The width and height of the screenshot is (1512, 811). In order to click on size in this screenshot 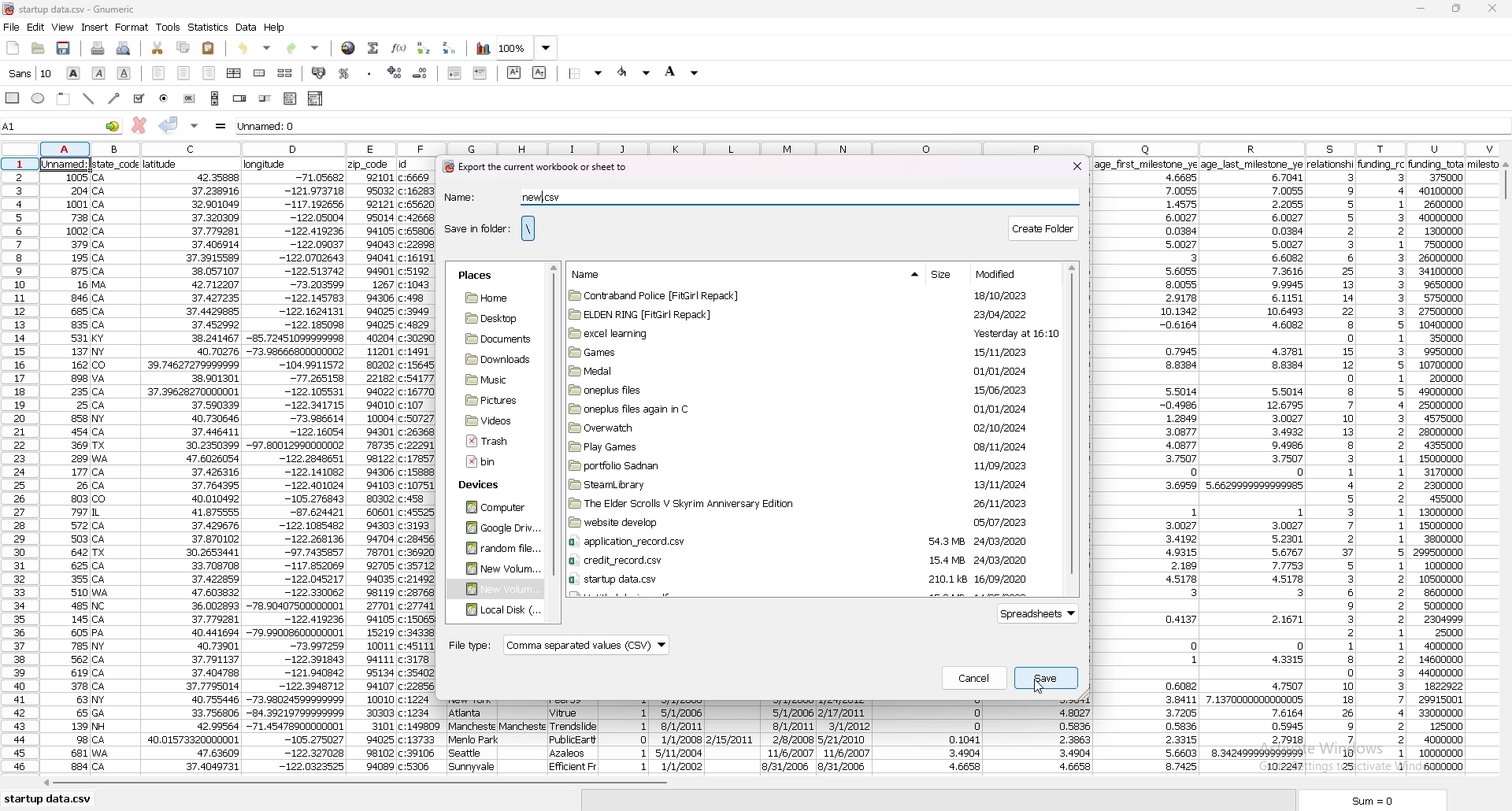, I will do `click(944, 276)`.